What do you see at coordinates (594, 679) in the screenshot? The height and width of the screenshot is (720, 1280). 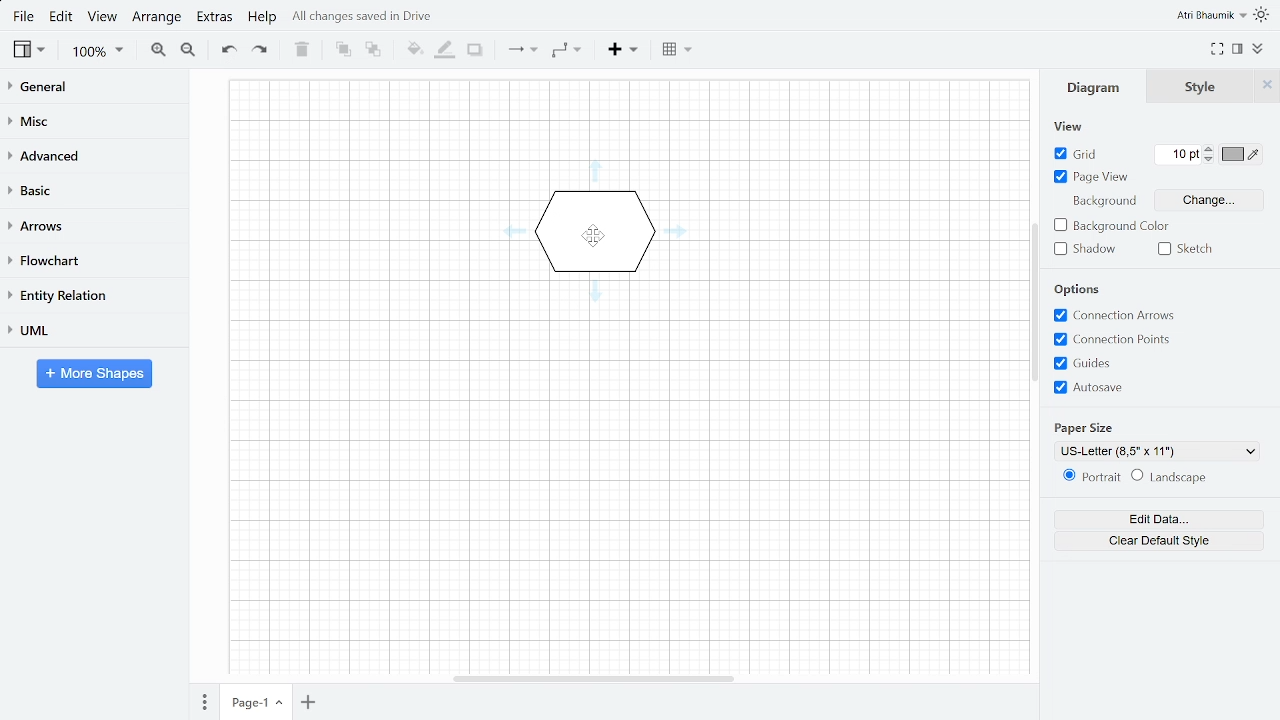 I see `Horizontal scroll bar` at bounding box center [594, 679].